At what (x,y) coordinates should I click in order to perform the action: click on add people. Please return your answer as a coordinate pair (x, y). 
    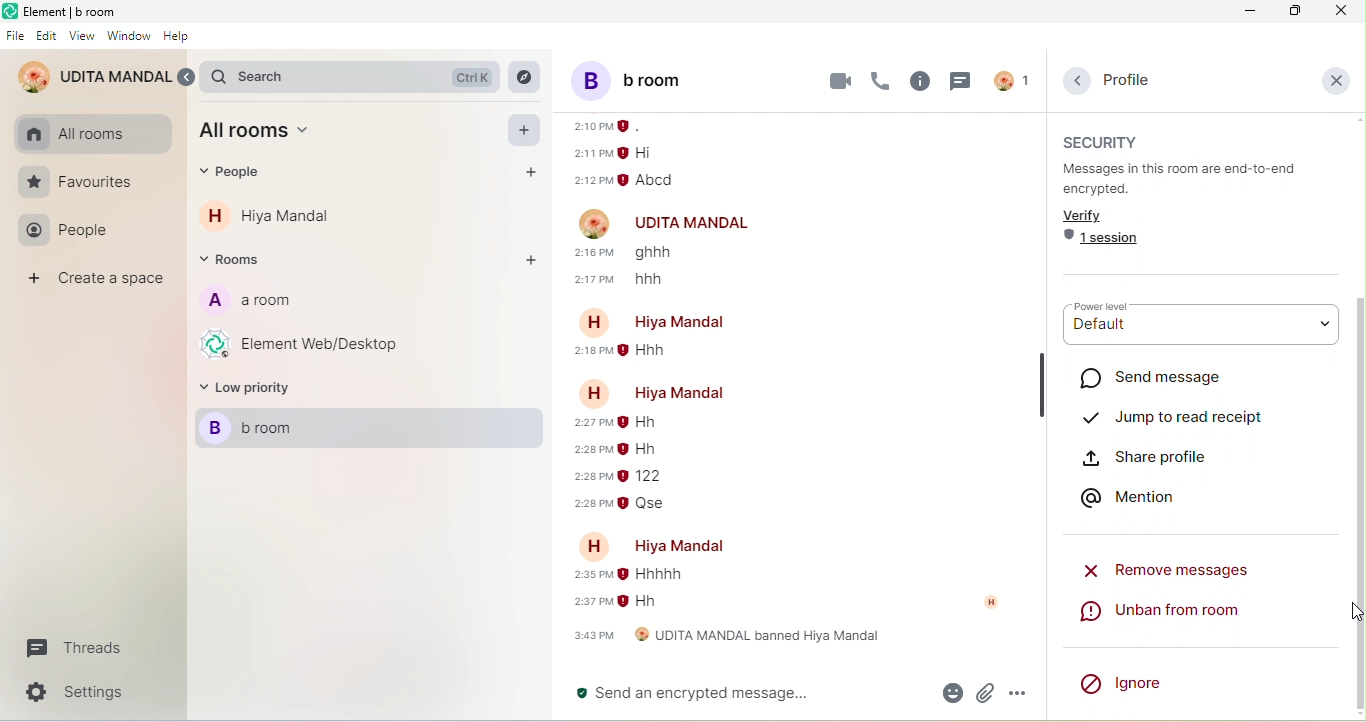
    Looking at the image, I should click on (526, 172).